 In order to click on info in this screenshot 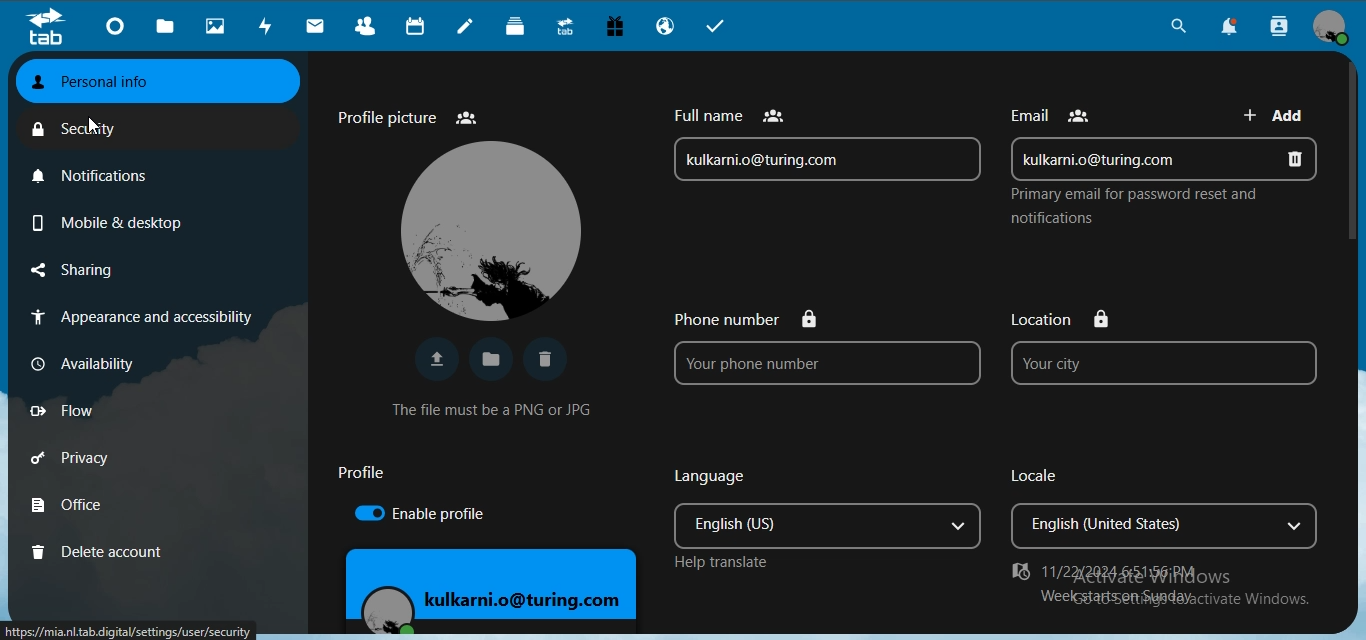, I will do `click(1147, 205)`.